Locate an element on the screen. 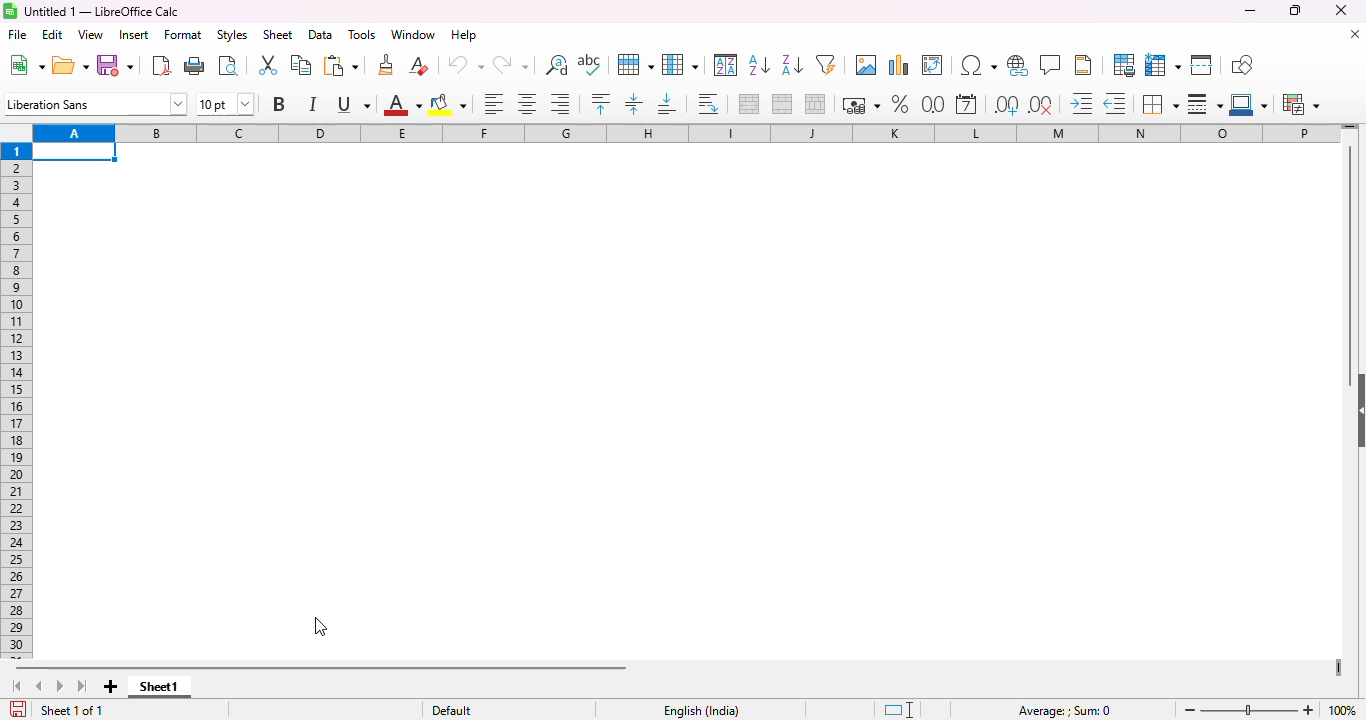 This screenshot has height=720, width=1366. text language is located at coordinates (700, 710).